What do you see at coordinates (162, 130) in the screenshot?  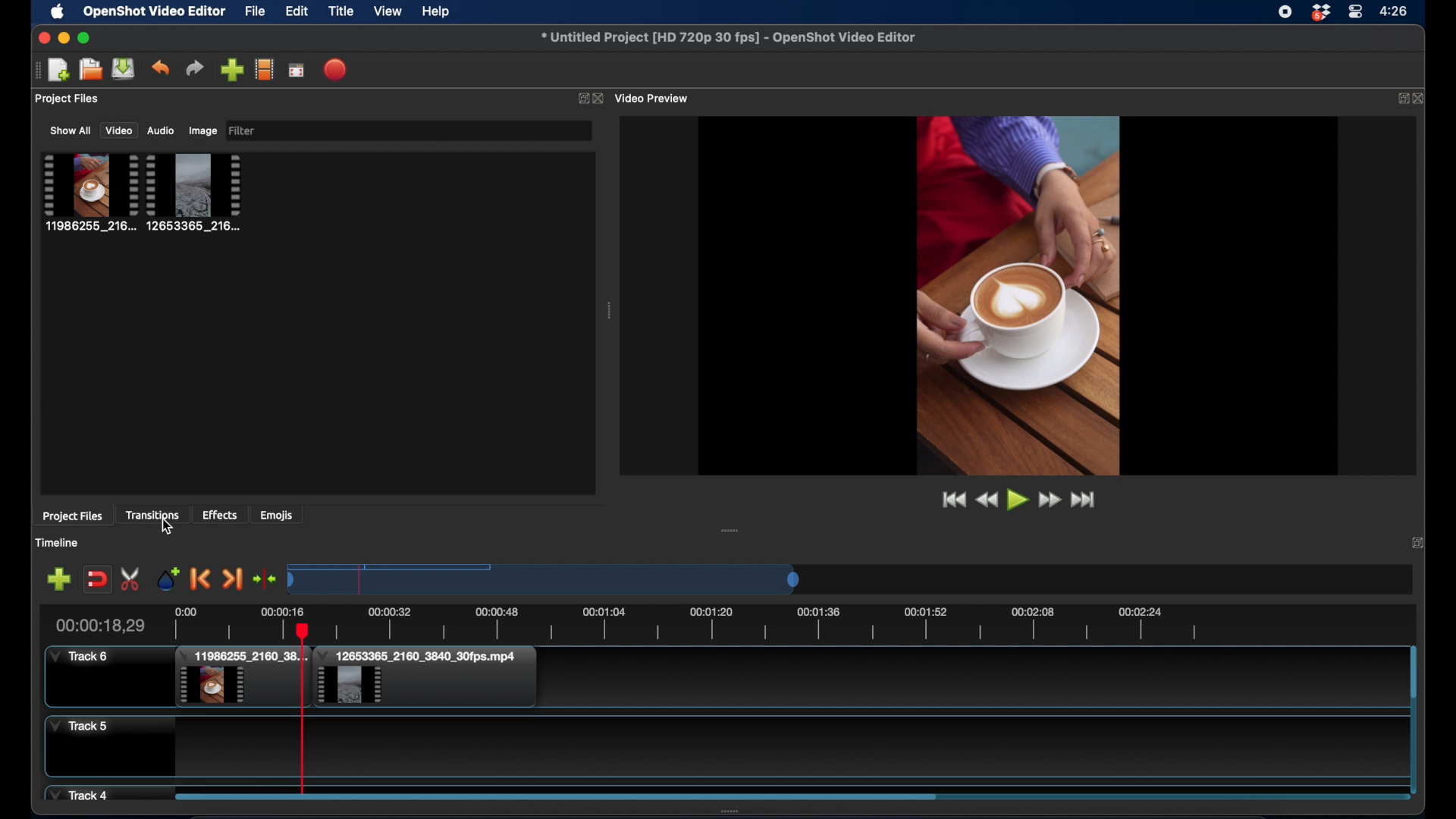 I see `audio` at bounding box center [162, 130].